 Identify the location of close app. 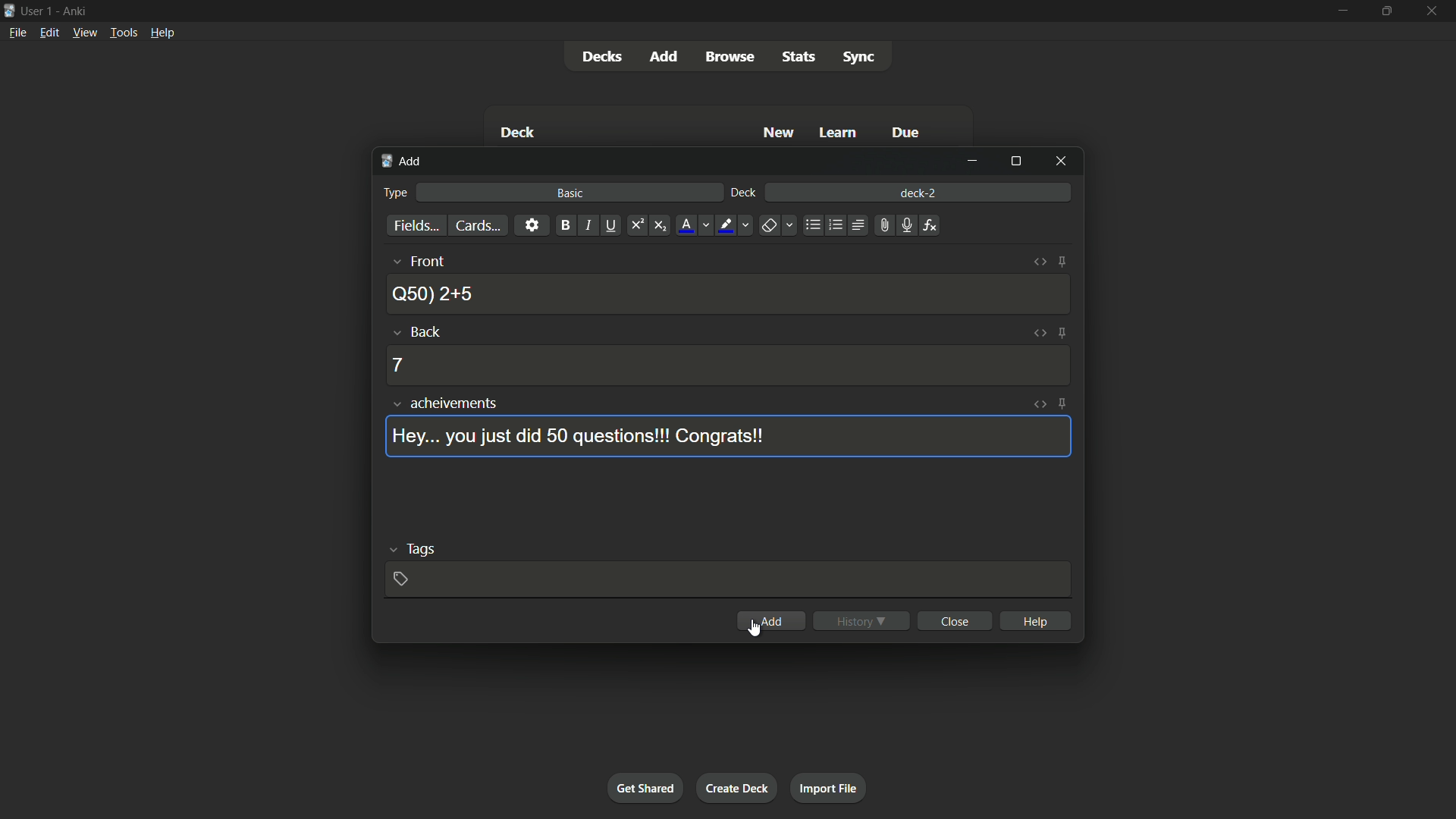
(1434, 11).